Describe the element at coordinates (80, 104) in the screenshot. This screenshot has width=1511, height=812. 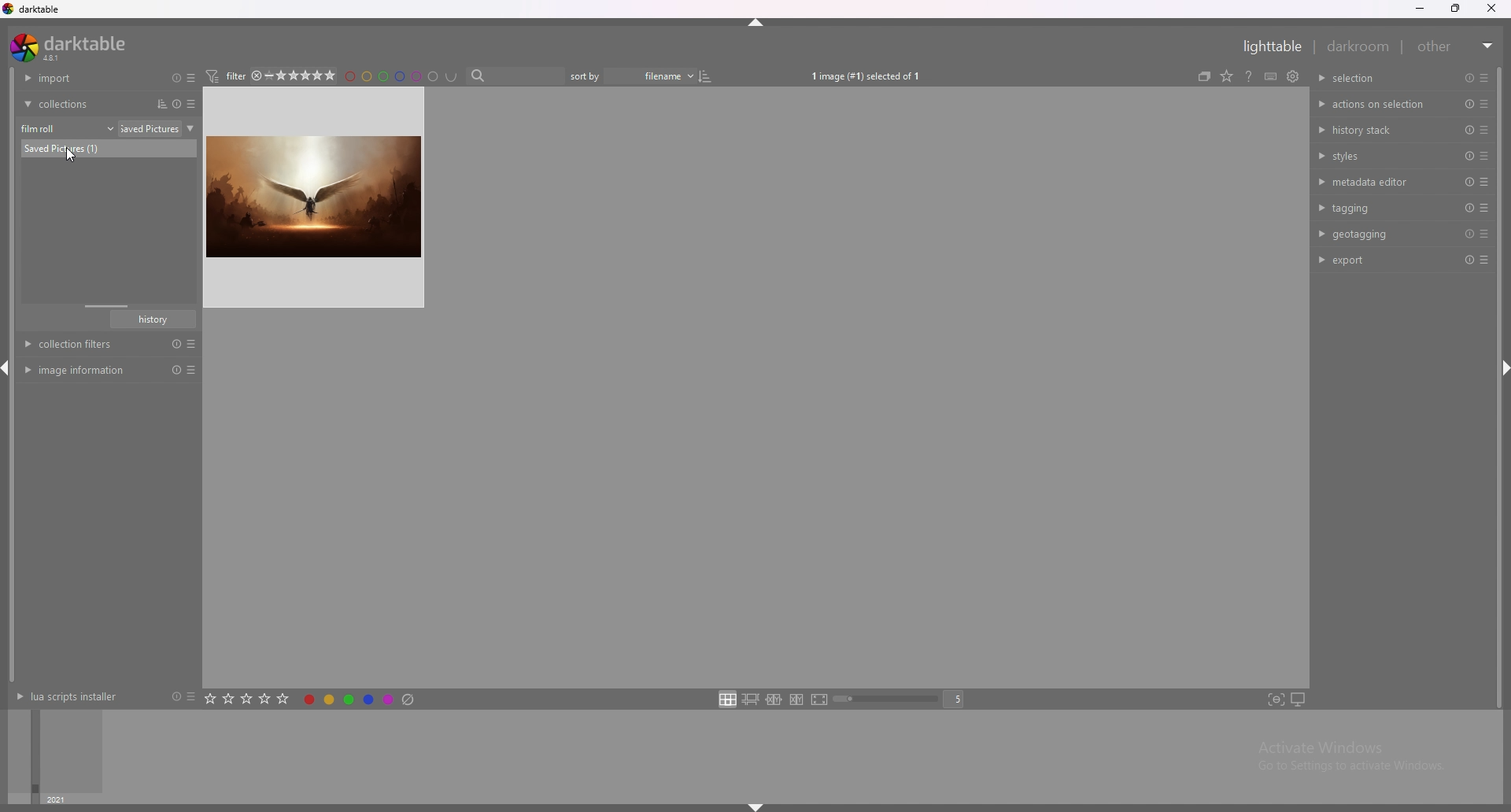
I see `collections` at that location.